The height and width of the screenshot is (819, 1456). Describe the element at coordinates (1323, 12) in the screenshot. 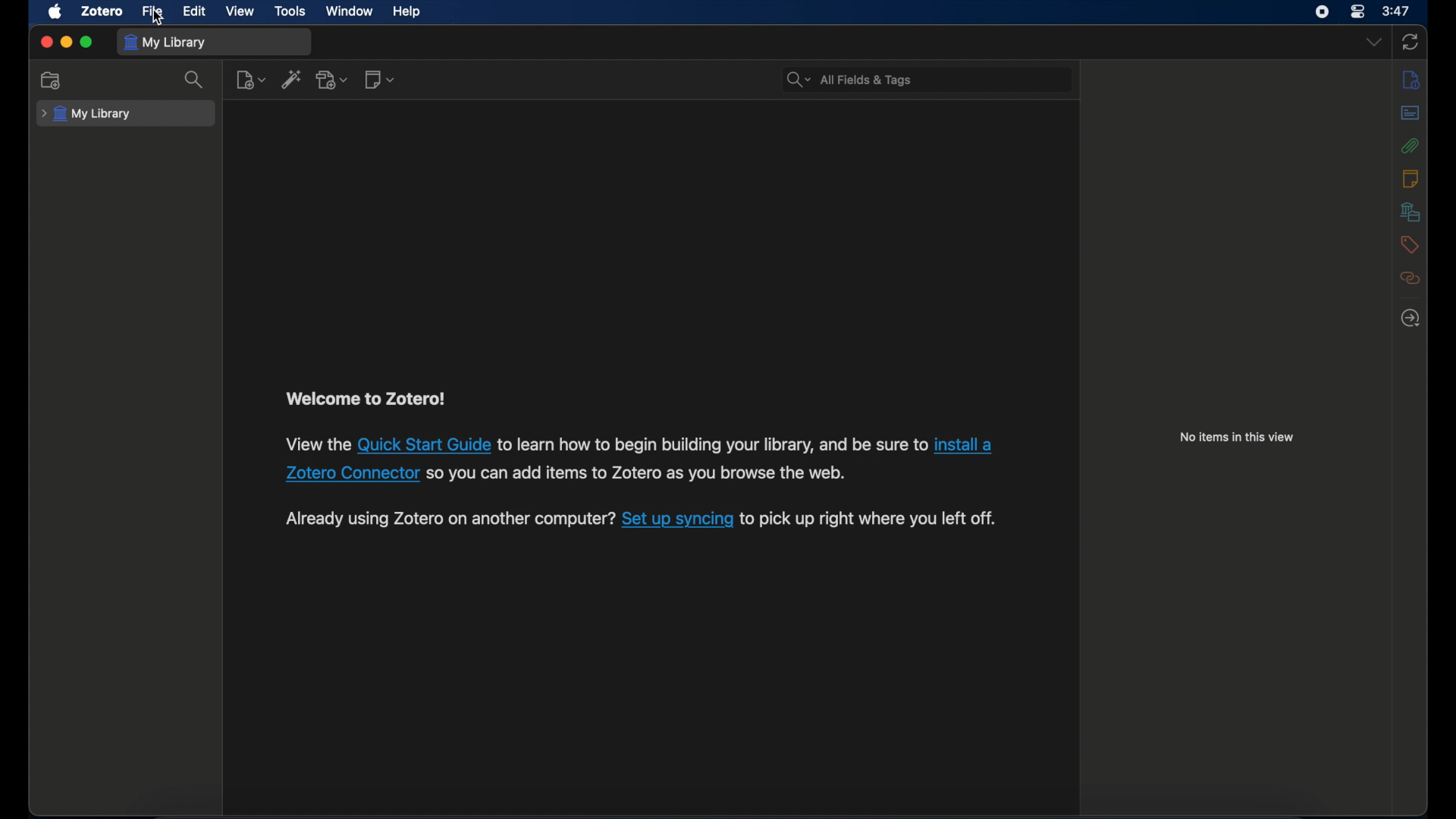

I see `screen recorder` at that location.